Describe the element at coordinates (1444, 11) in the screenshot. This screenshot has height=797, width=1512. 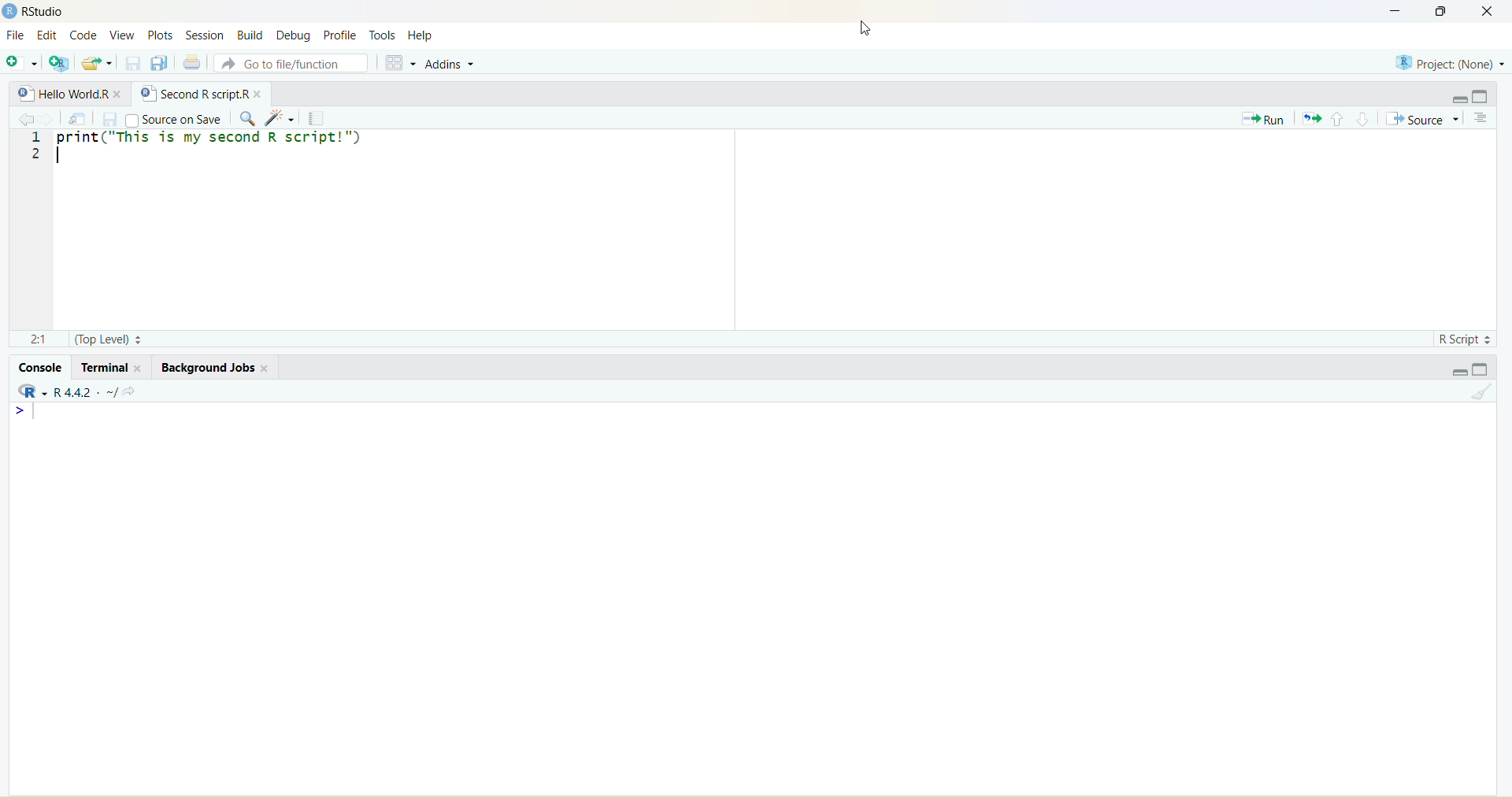
I see `Maximize` at that location.